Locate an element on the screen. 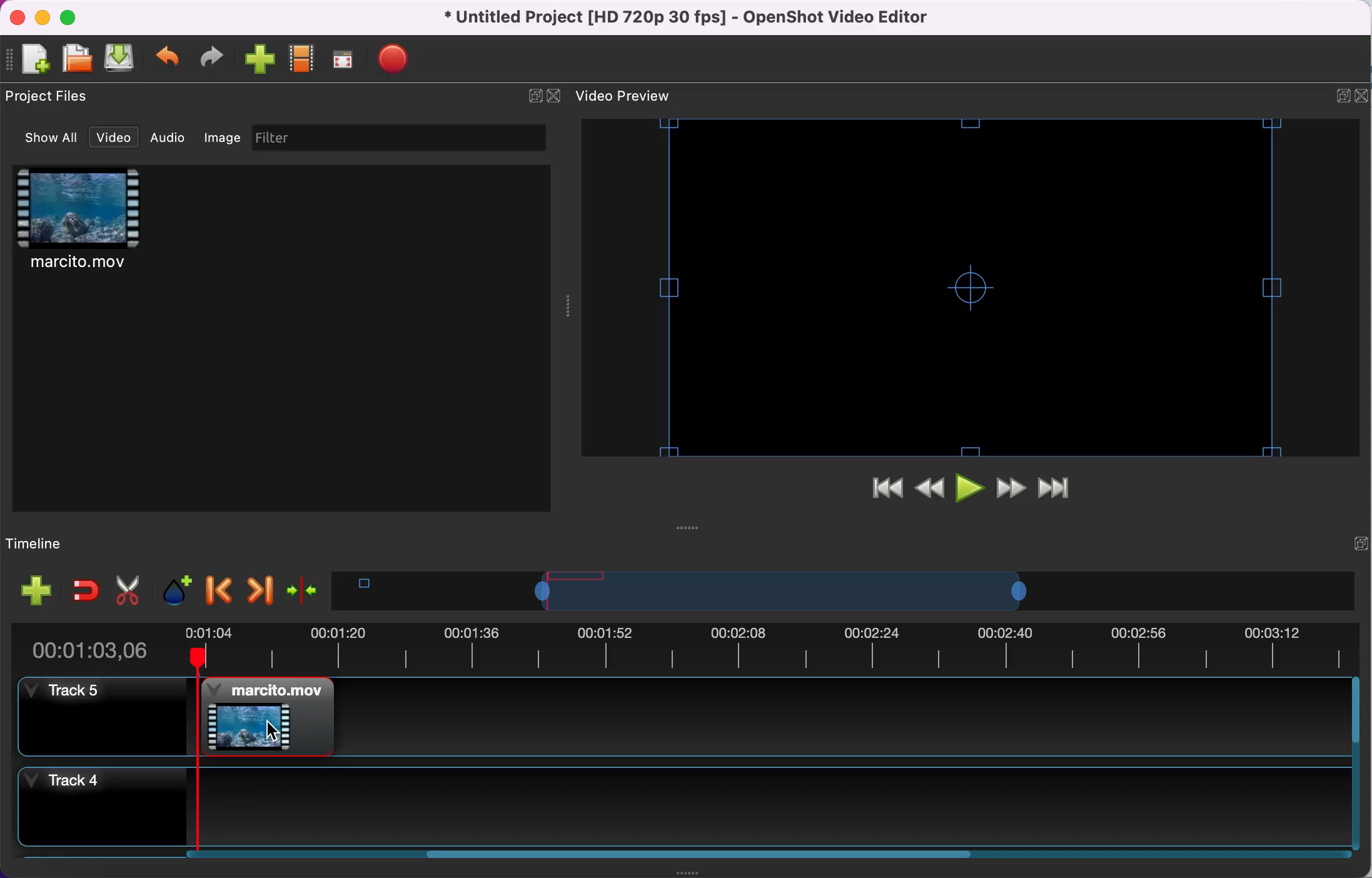 The width and height of the screenshot is (1372, 878). fast forward is located at coordinates (1010, 490).